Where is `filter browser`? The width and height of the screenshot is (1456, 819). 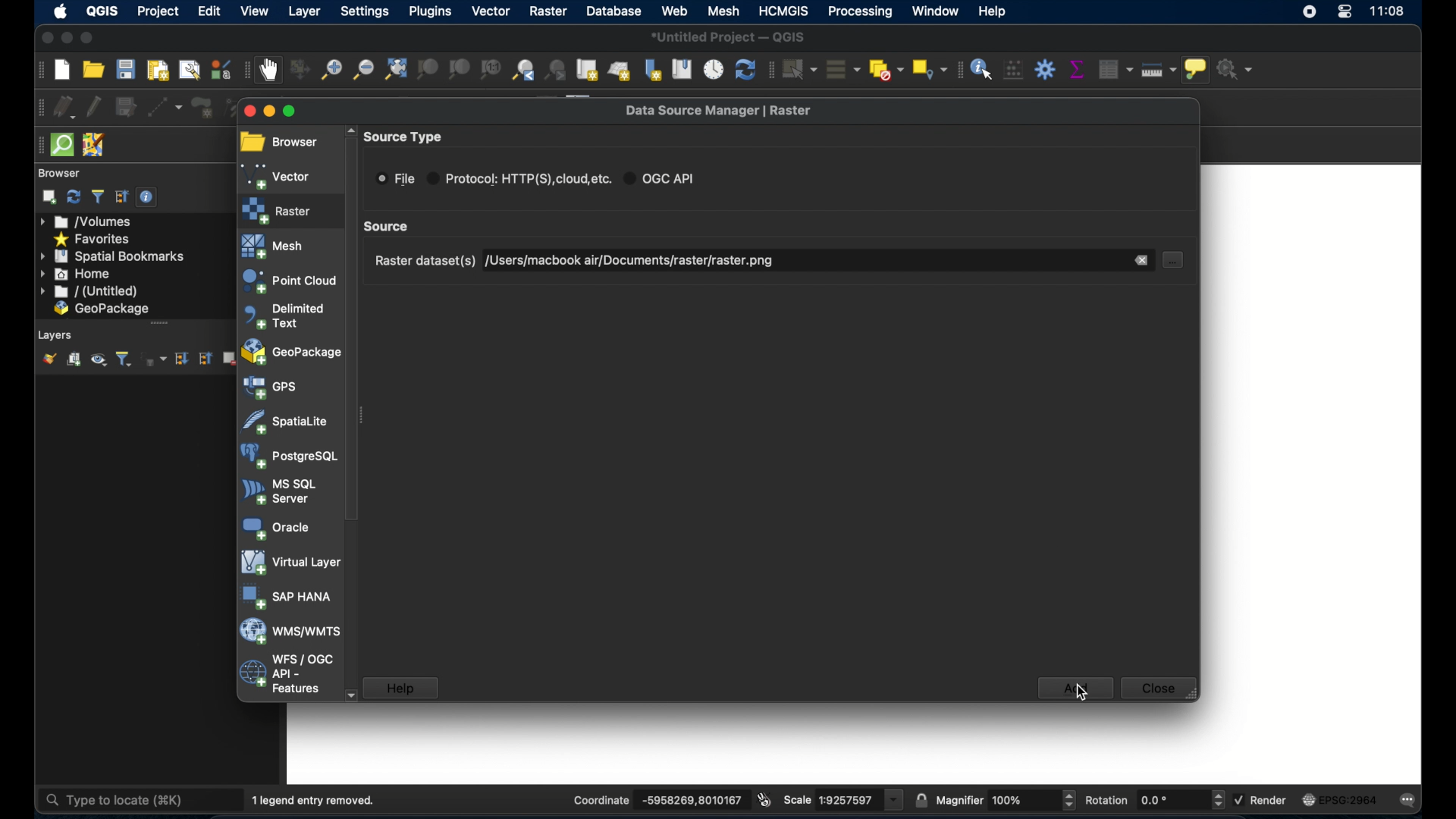
filter browser is located at coordinates (98, 196).